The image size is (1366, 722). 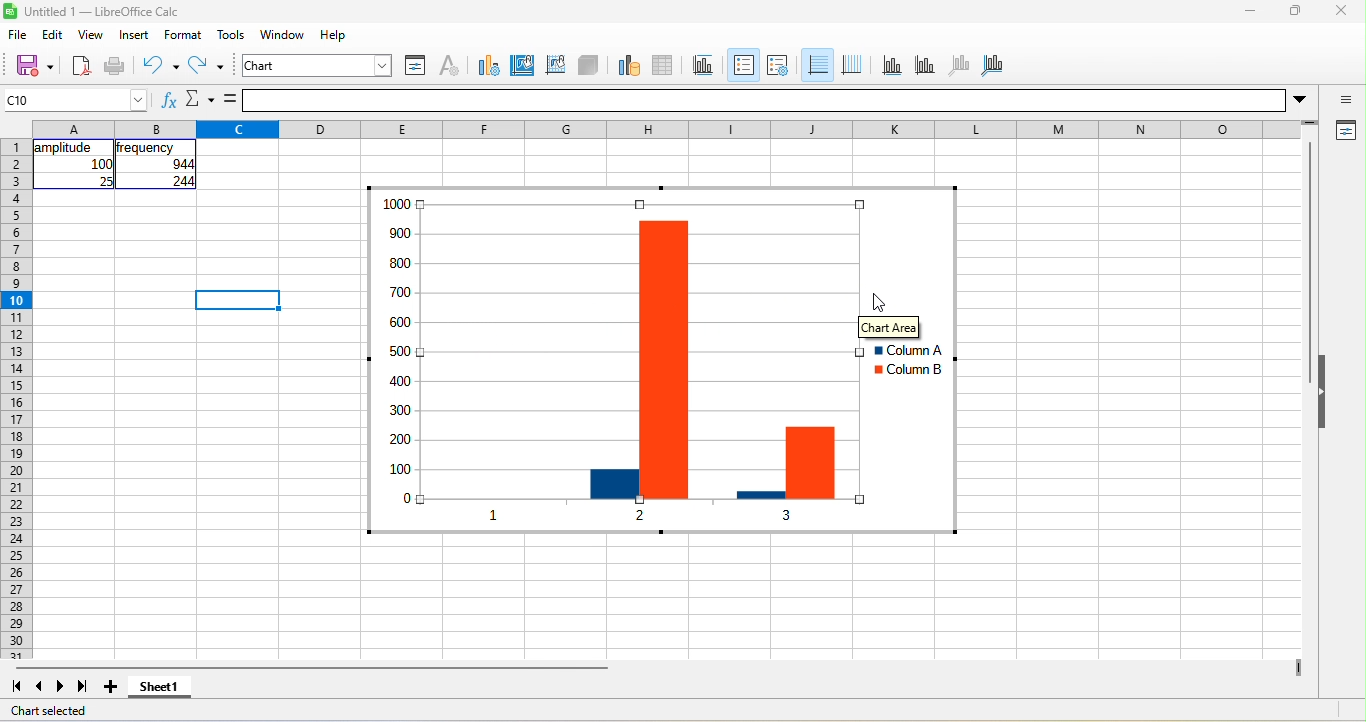 What do you see at coordinates (890, 327) in the screenshot?
I see `chart area` at bounding box center [890, 327].